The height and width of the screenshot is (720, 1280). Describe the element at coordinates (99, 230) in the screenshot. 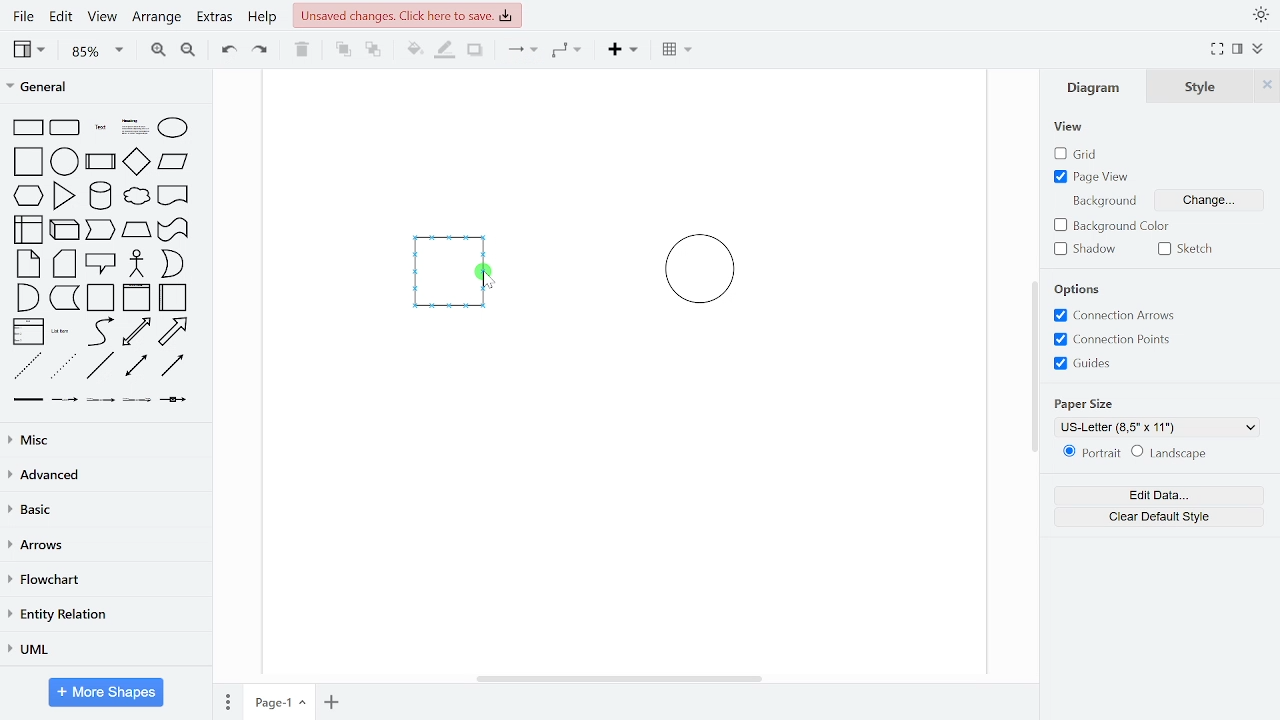

I see `step` at that location.